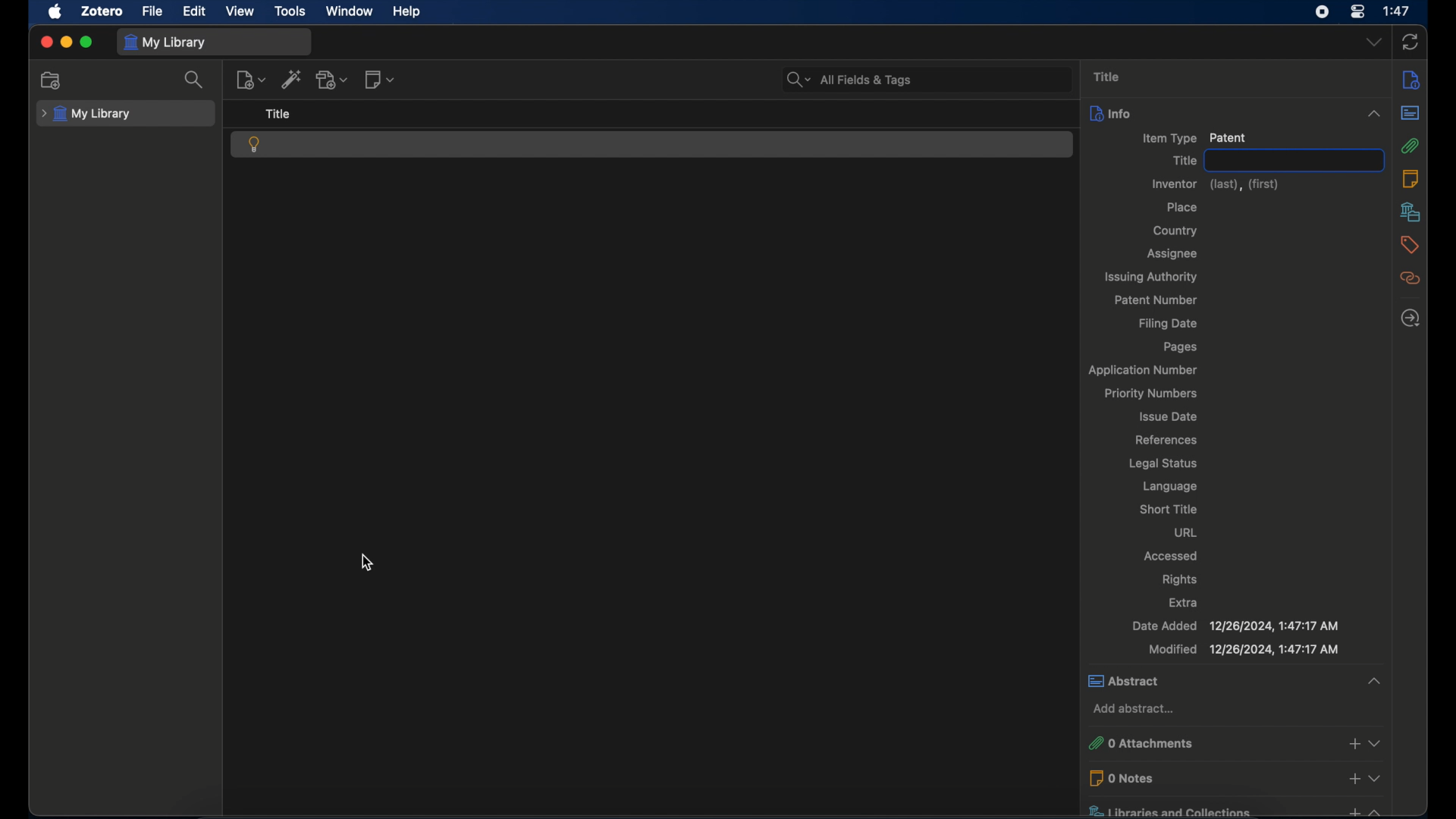 The height and width of the screenshot is (819, 1456). I want to click on add, so click(1354, 810).